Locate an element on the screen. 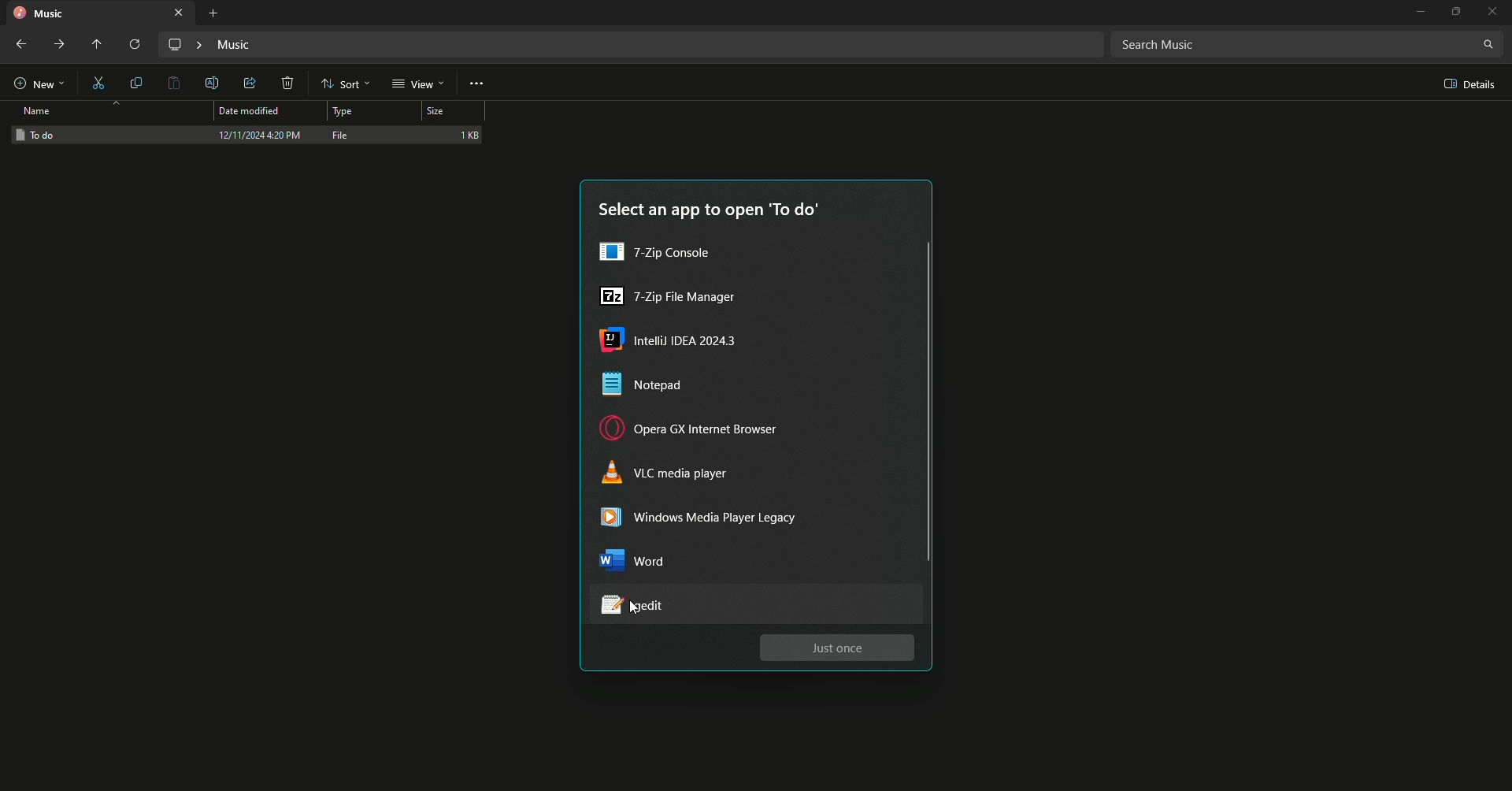 This screenshot has width=1512, height=791. Word is located at coordinates (648, 565).